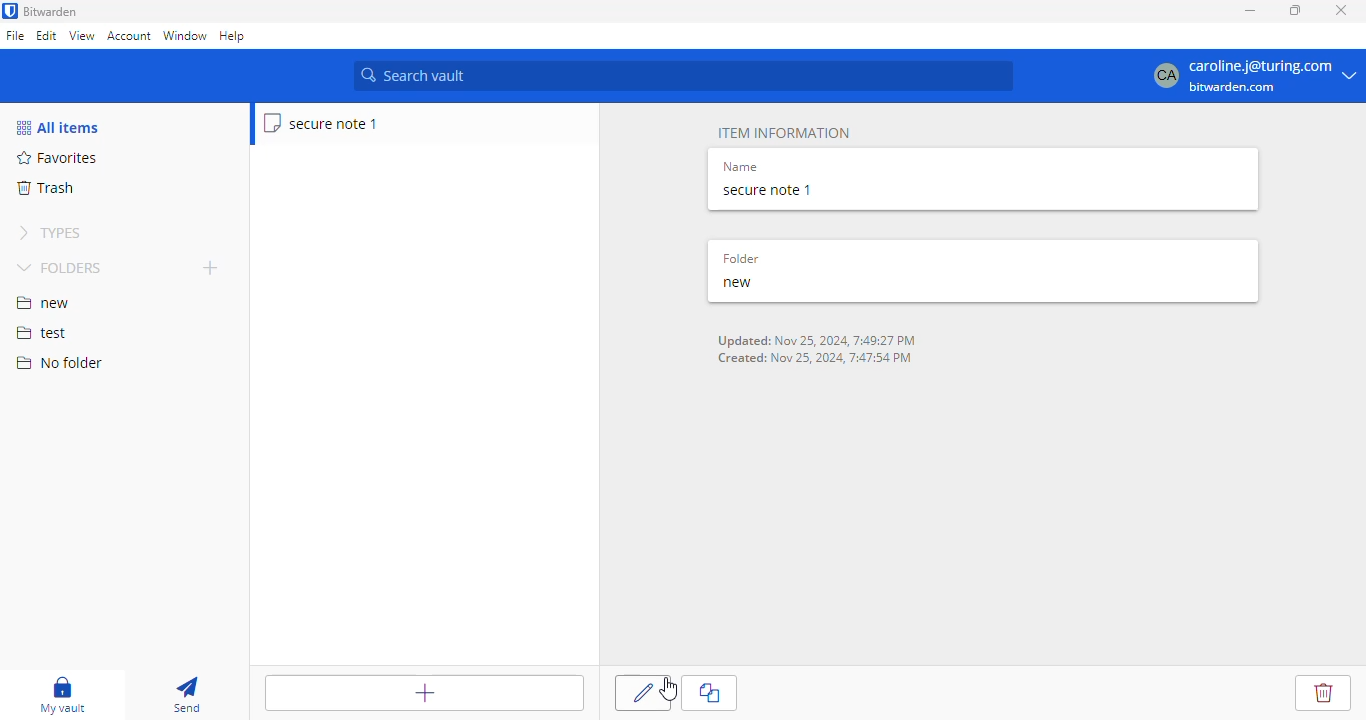 The width and height of the screenshot is (1366, 720). I want to click on maximize, so click(1297, 10).